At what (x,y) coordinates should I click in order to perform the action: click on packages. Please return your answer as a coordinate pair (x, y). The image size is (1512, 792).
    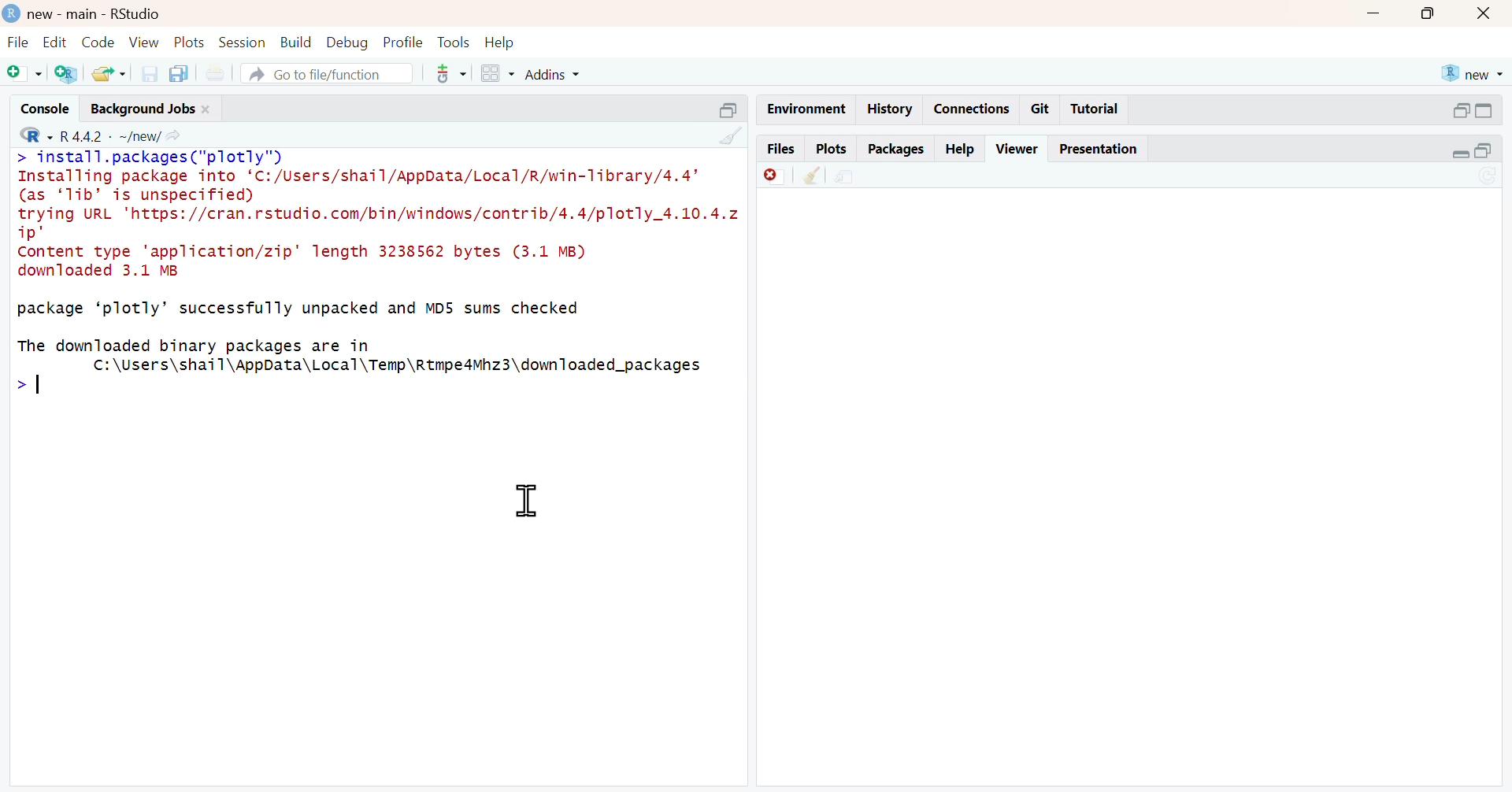
    Looking at the image, I should click on (895, 150).